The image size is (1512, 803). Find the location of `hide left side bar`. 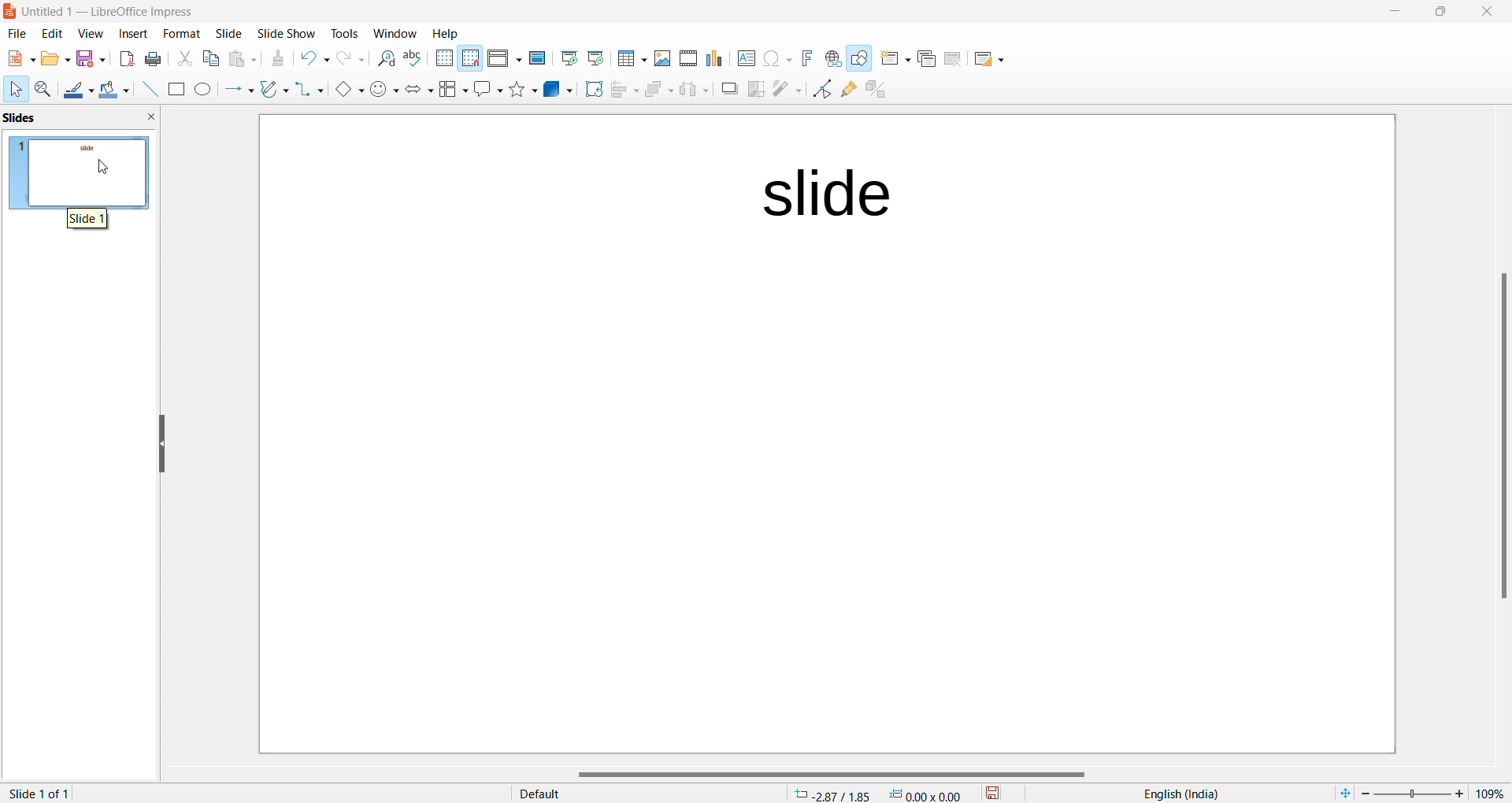

hide left side bar is located at coordinates (163, 445).